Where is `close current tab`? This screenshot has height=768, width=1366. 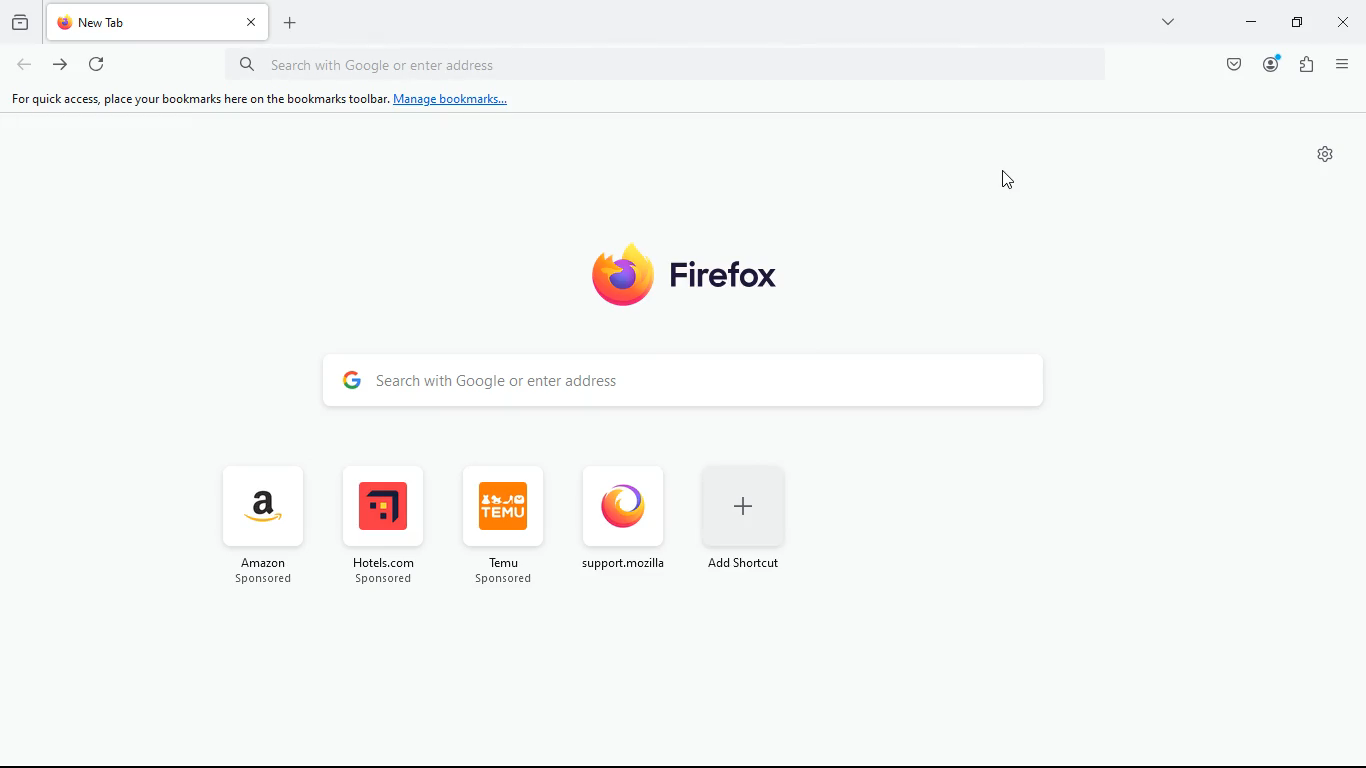
close current tab is located at coordinates (250, 22).